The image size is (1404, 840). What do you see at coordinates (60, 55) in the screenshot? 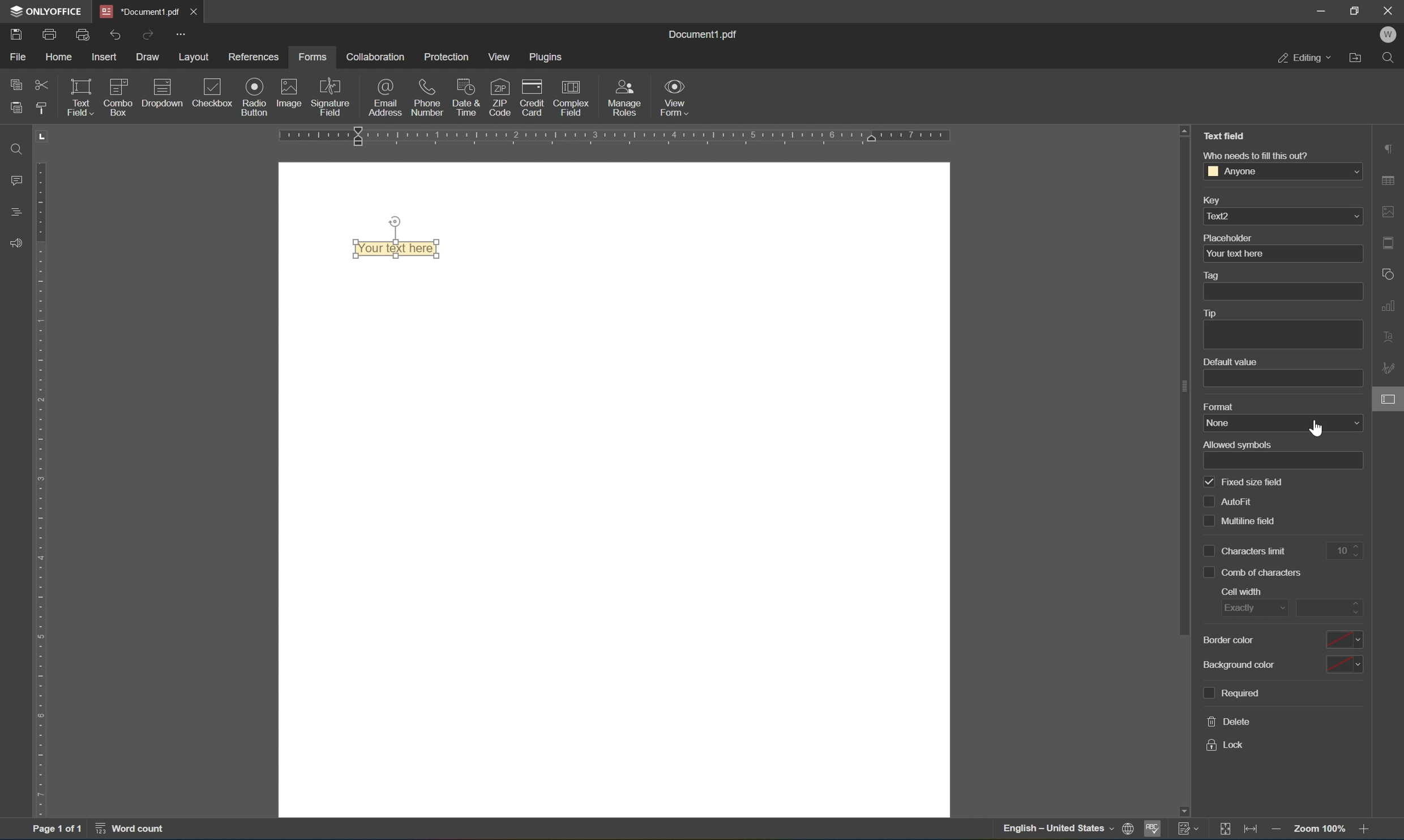
I see `home` at bounding box center [60, 55].